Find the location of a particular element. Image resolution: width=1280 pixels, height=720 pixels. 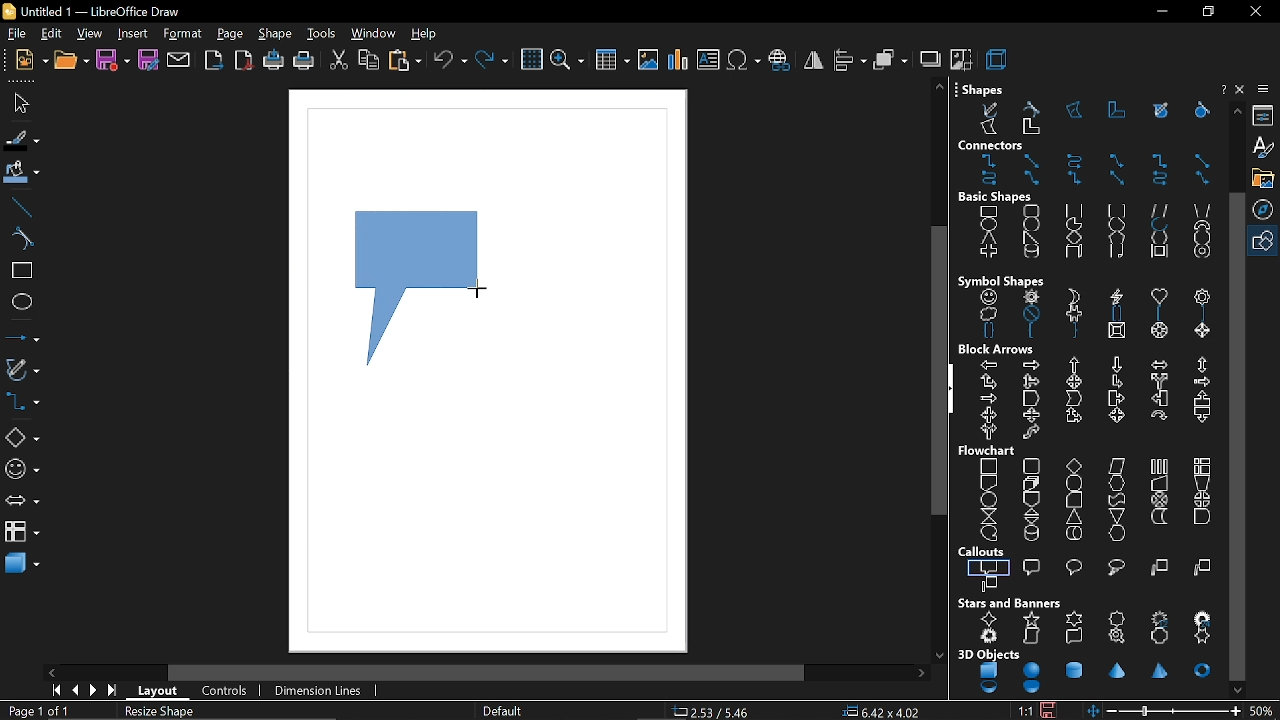

down arrow is located at coordinates (1115, 365).